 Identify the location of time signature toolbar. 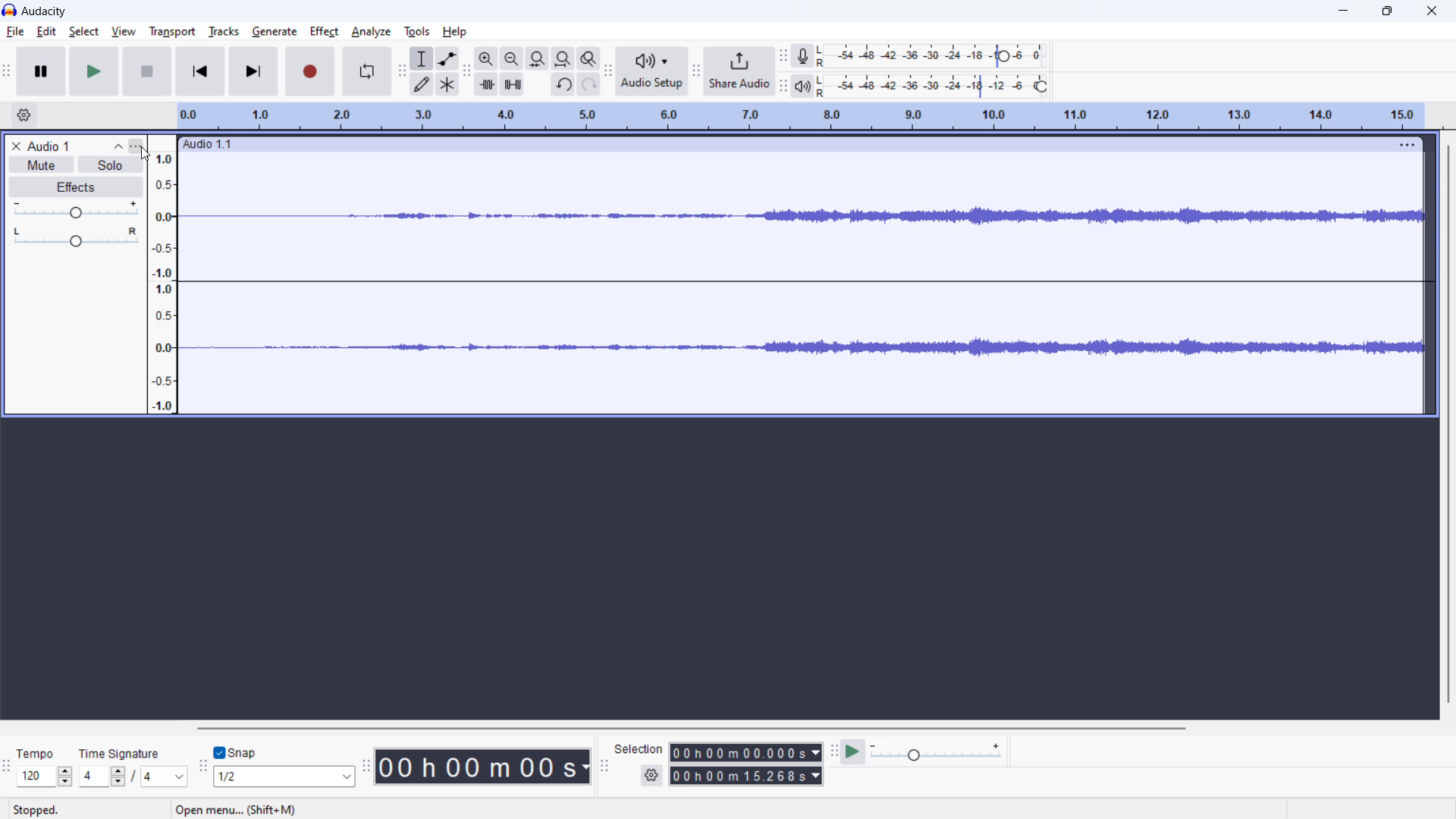
(6, 767).